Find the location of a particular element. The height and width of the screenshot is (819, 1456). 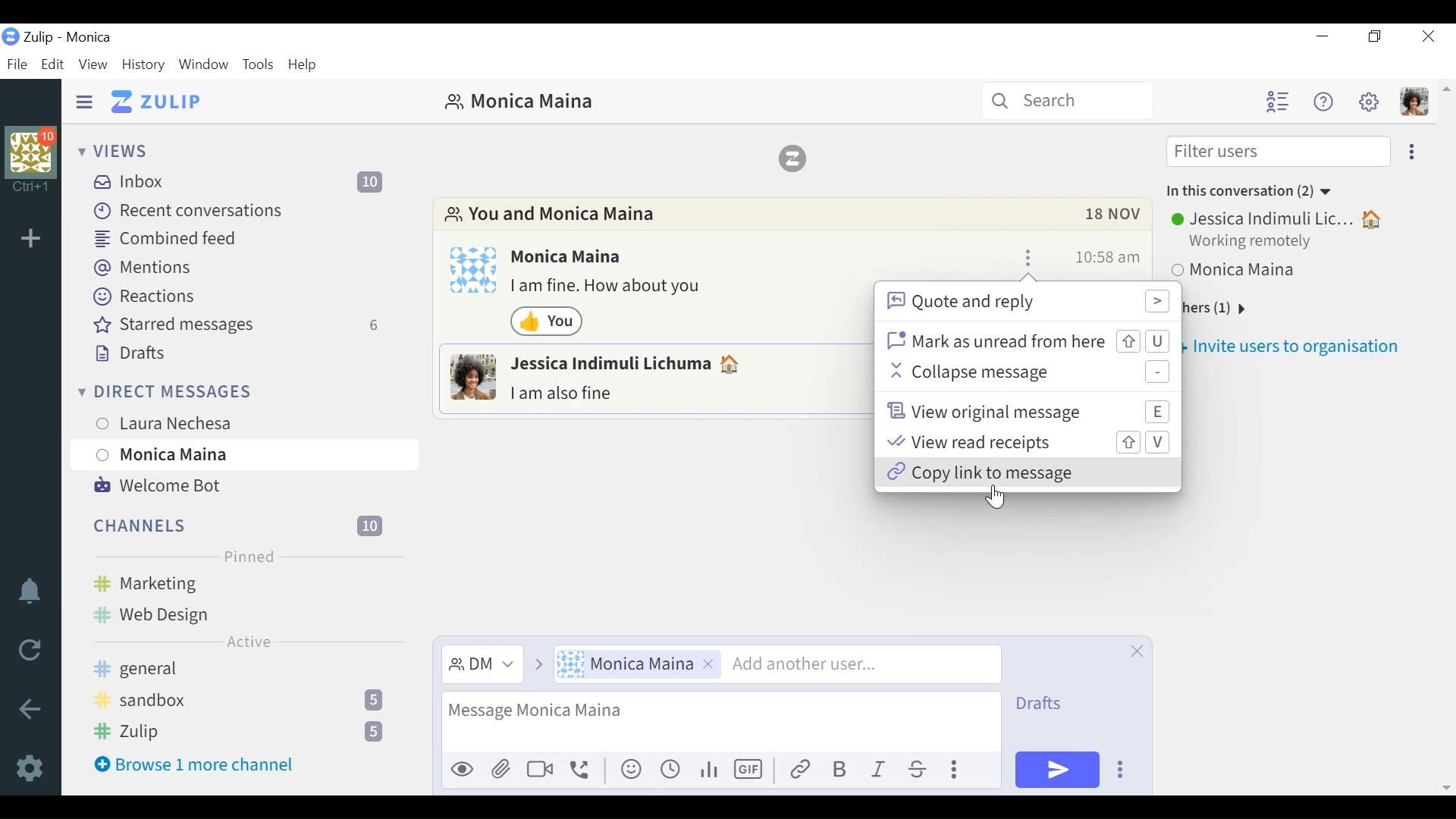

Italics is located at coordinates (880, 770).